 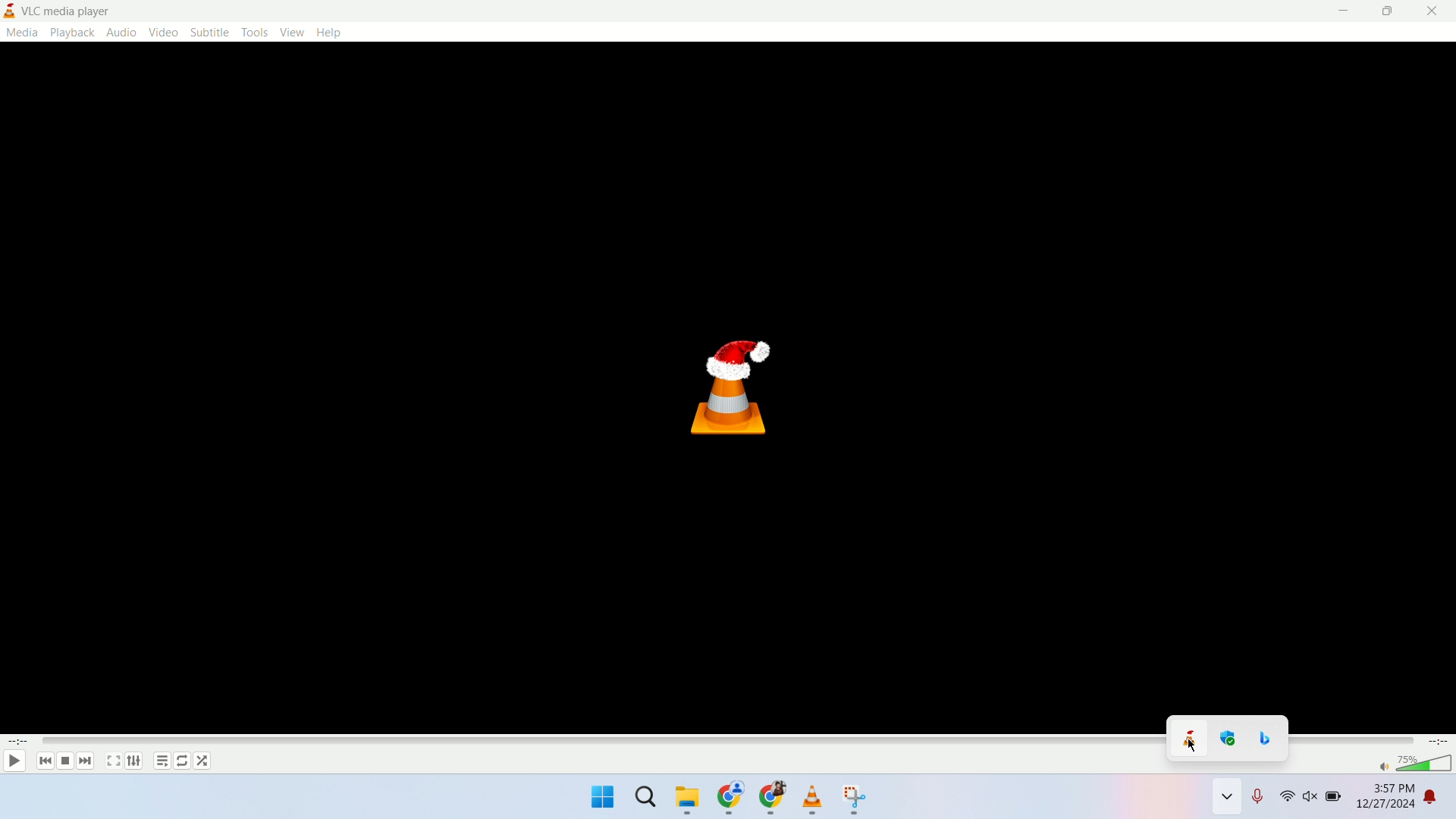 I want to click on vlc player, so click(x=814, y=799).